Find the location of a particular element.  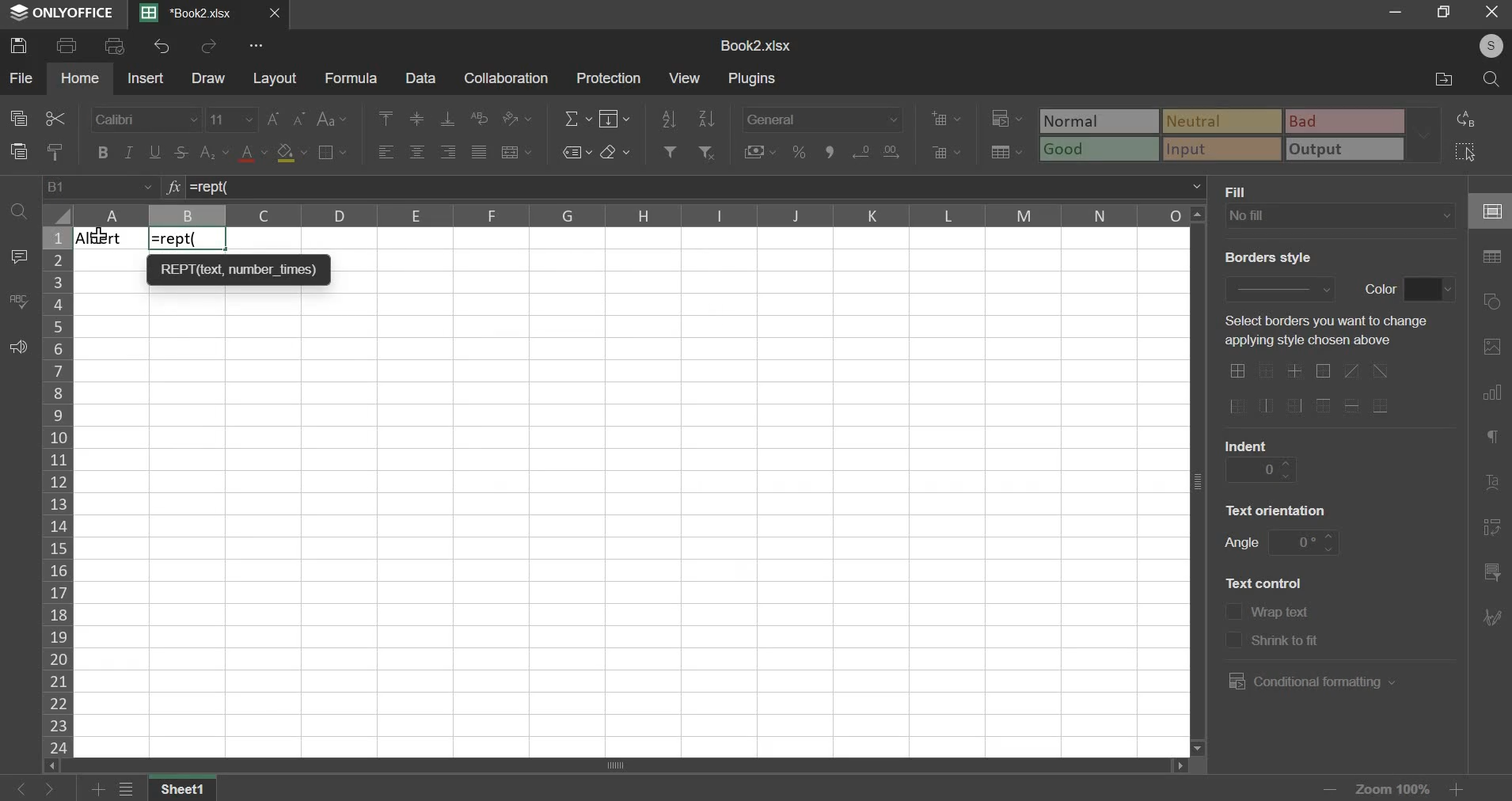

bold is located at coordinates (102, 152).